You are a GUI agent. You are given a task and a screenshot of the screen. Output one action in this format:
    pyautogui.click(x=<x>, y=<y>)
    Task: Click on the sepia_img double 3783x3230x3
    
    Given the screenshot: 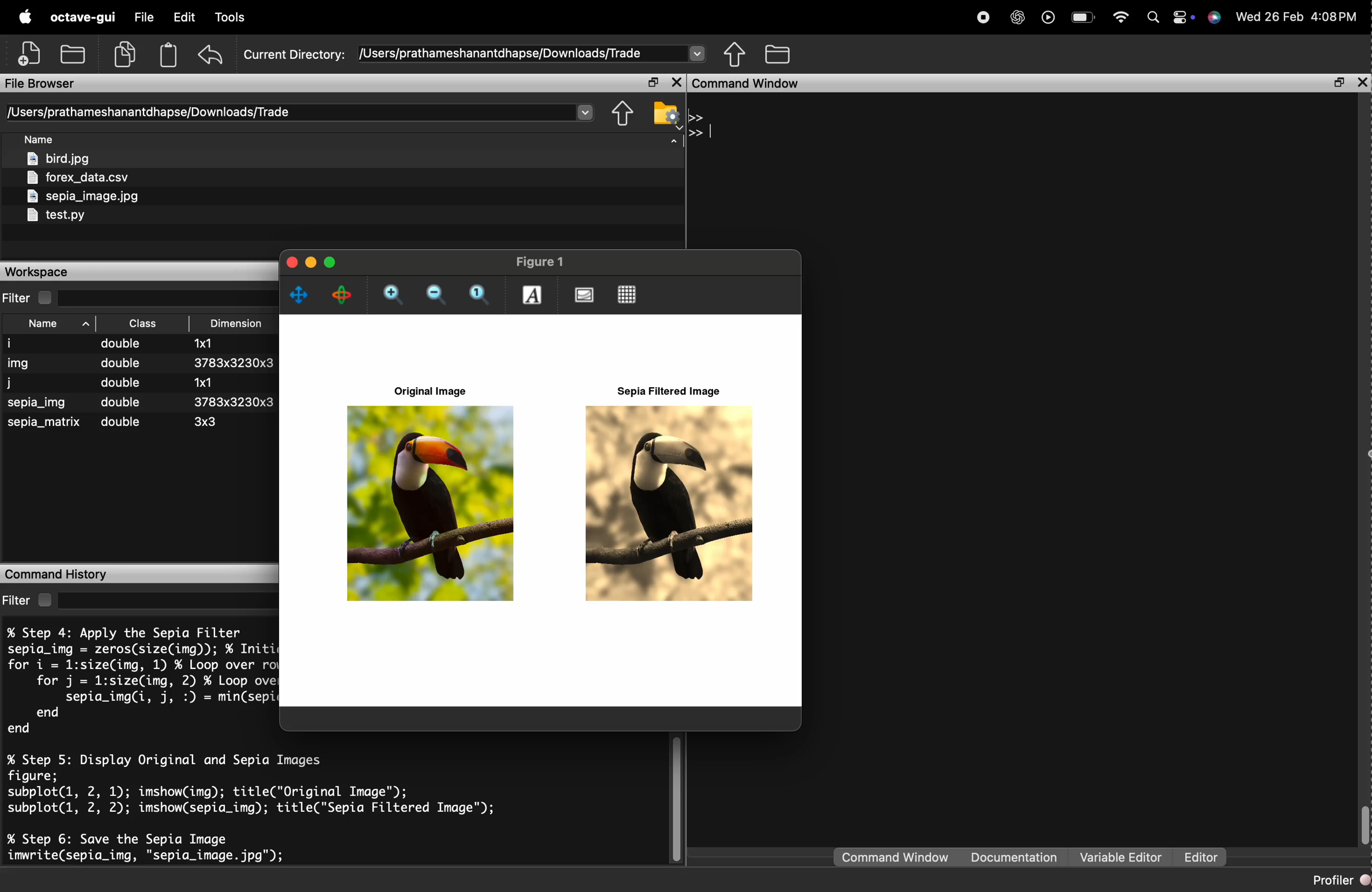 What is the action you would take?
    pyautogui.click(x=141, y=402)
    